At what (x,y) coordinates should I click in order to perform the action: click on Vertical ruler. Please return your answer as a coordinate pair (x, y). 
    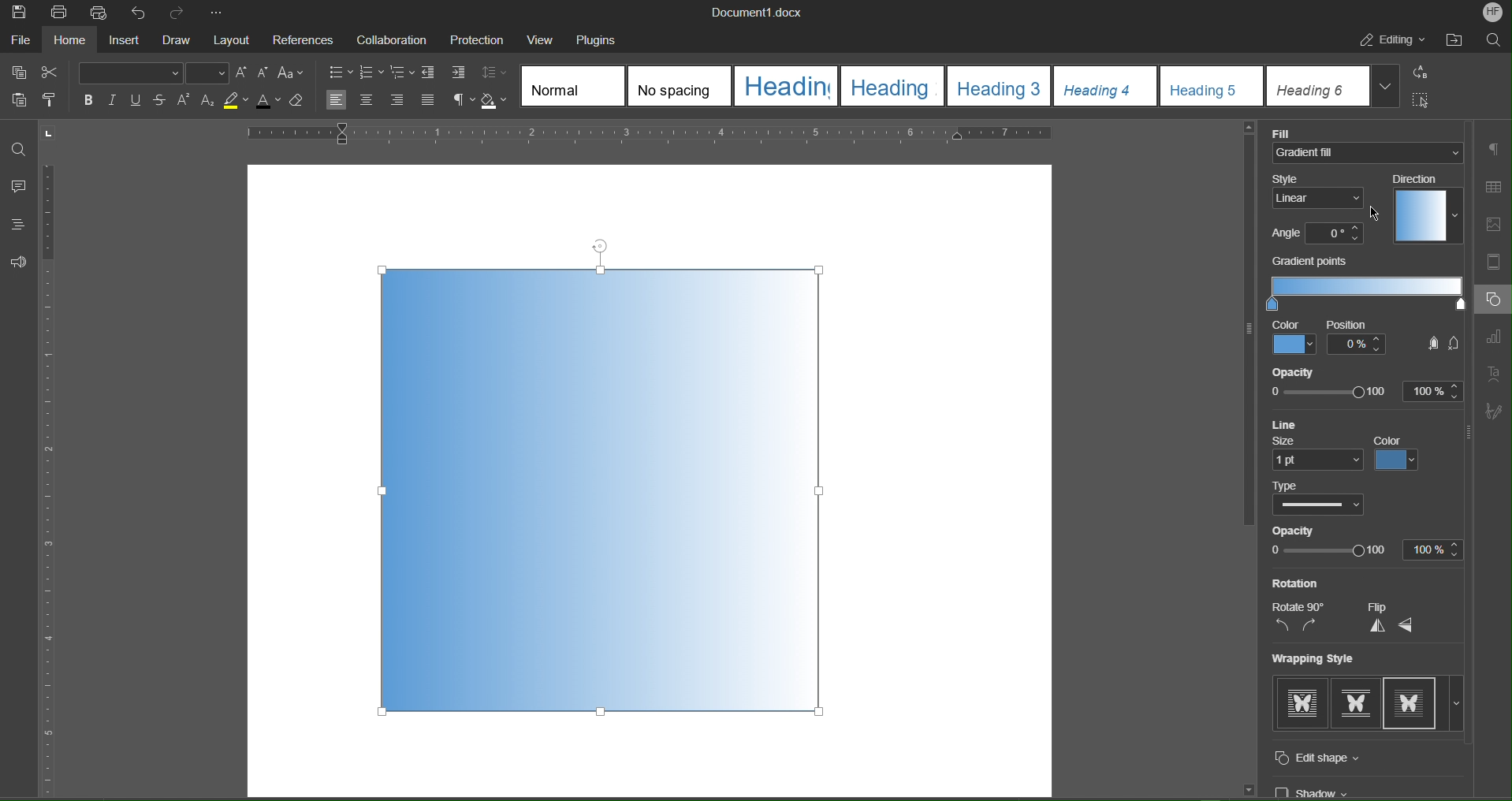
    Looking at the image, I should click on (60, 463).